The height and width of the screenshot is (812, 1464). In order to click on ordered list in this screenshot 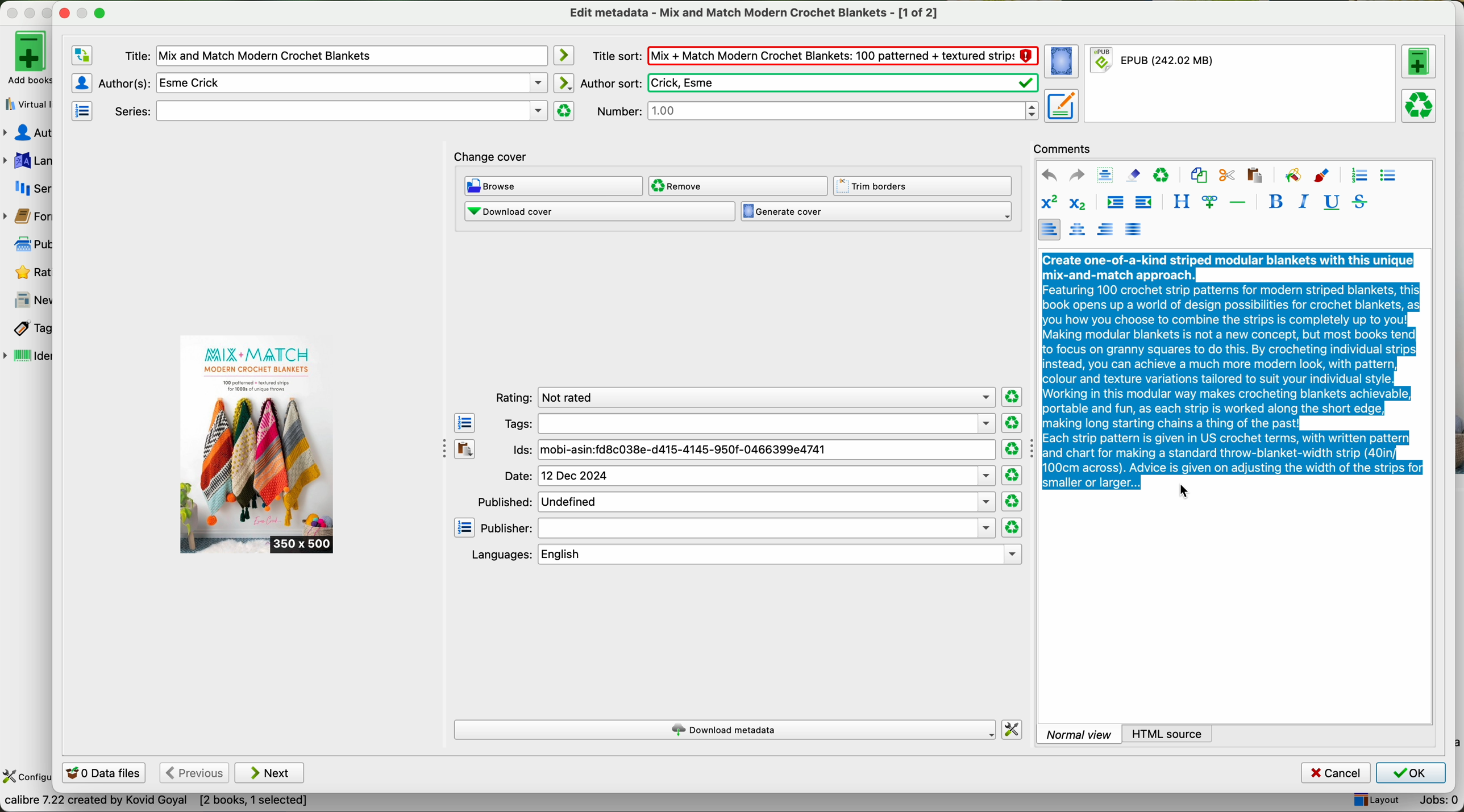, I will do `click(1358, 176)`.